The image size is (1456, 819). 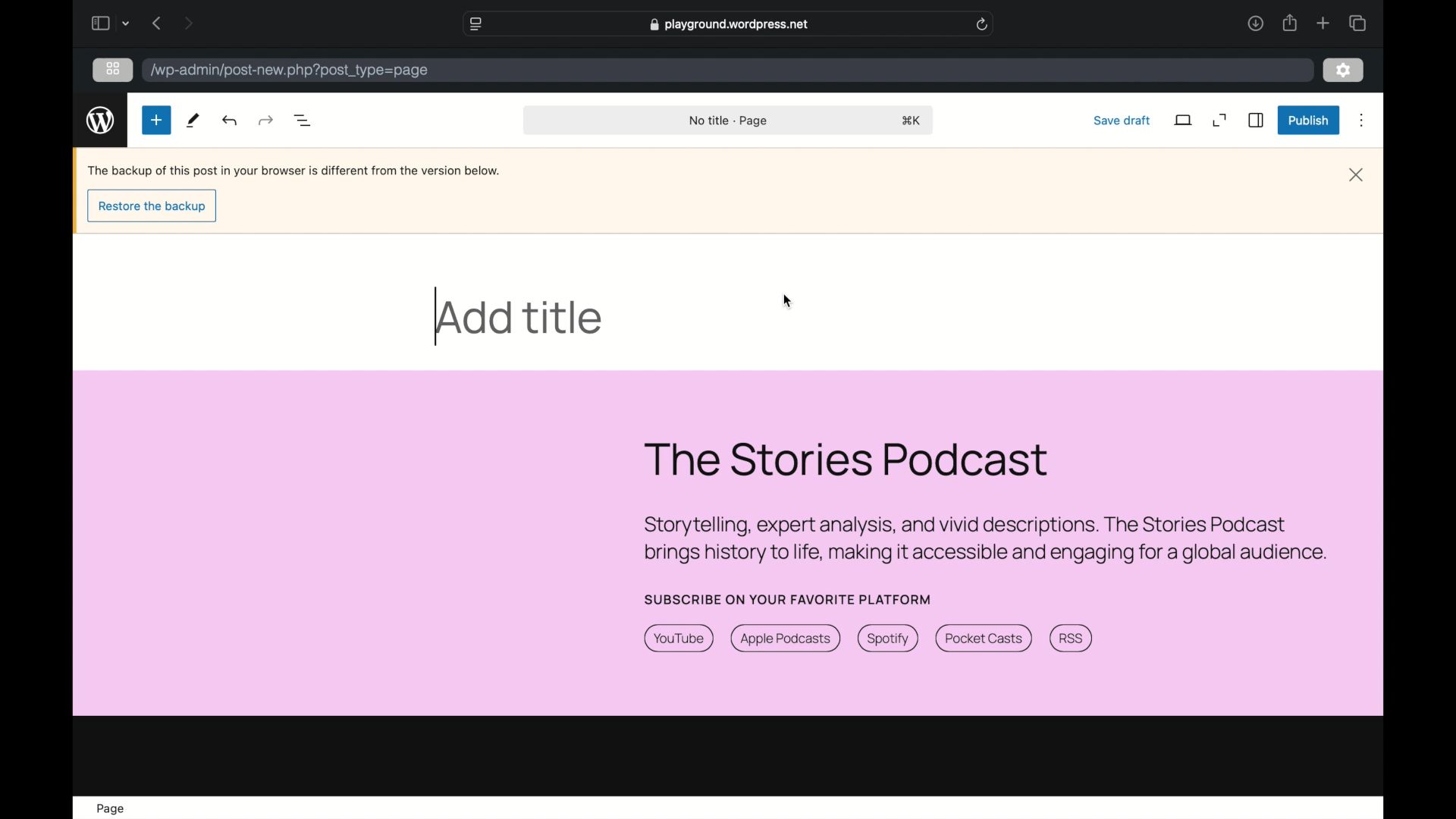 I want to click on website settings, so click(x=478, y=24).